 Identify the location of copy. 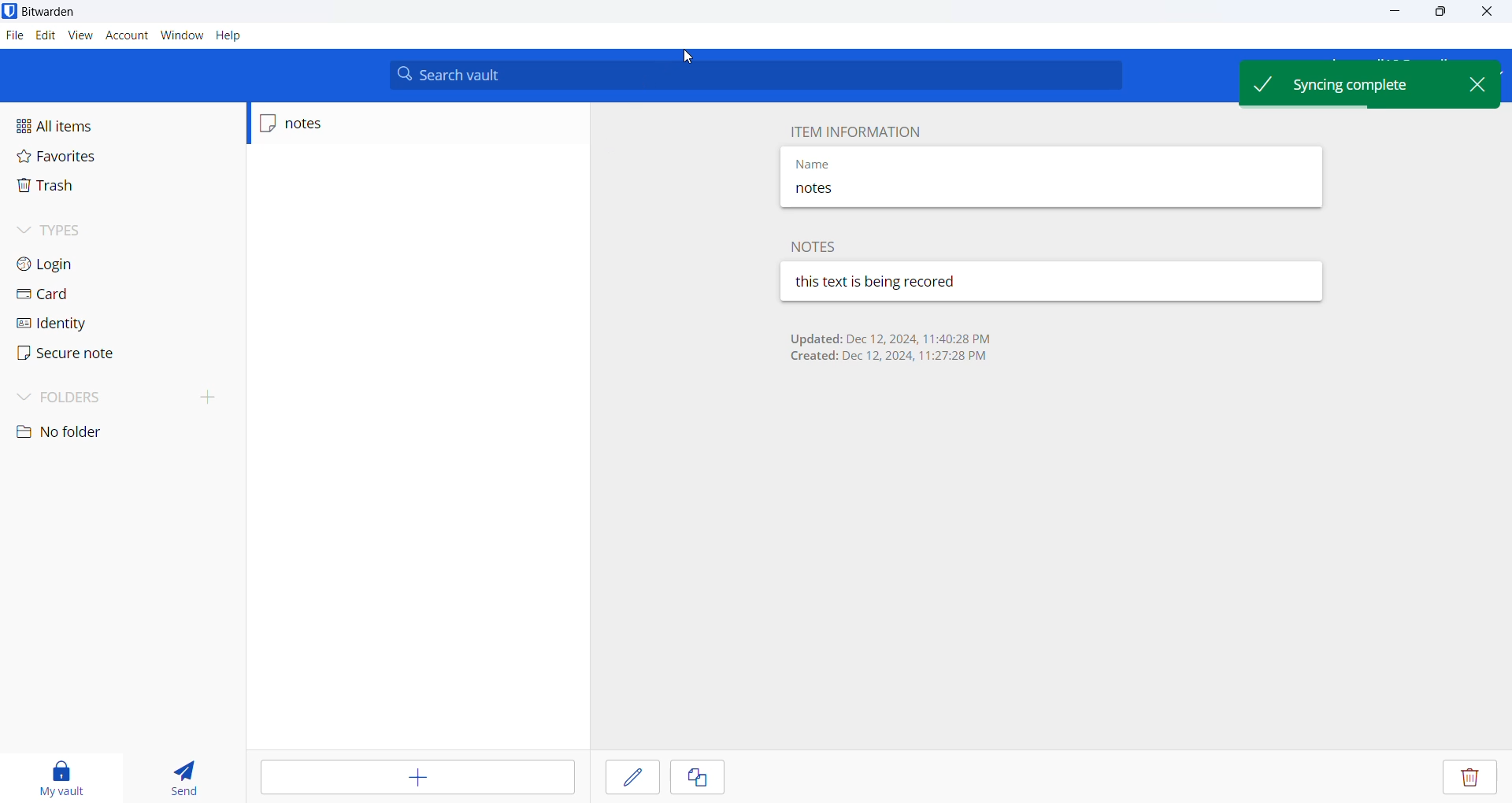
(698, 778).